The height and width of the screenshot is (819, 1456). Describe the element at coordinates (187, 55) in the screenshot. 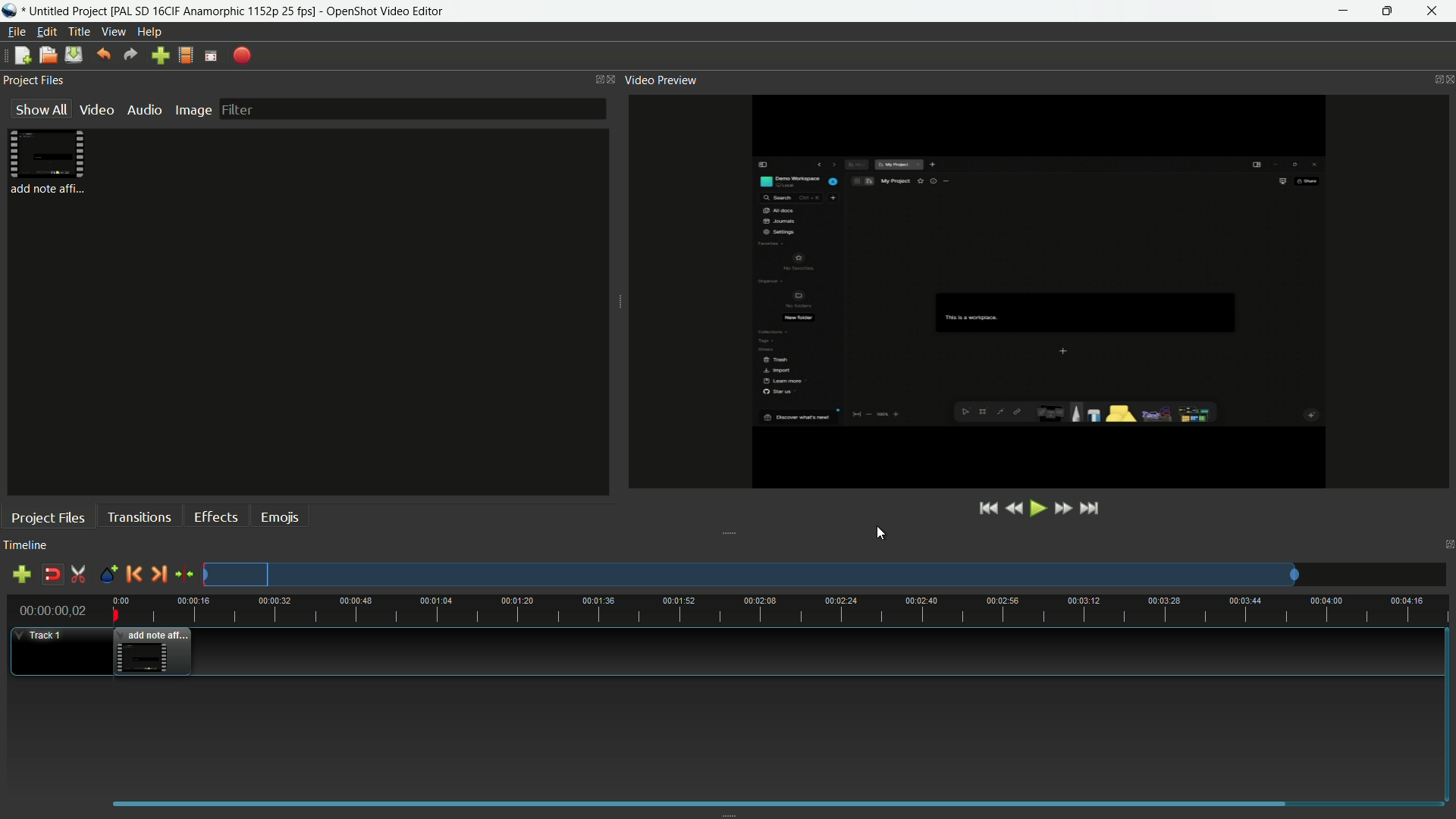

I see `profile` at that location.